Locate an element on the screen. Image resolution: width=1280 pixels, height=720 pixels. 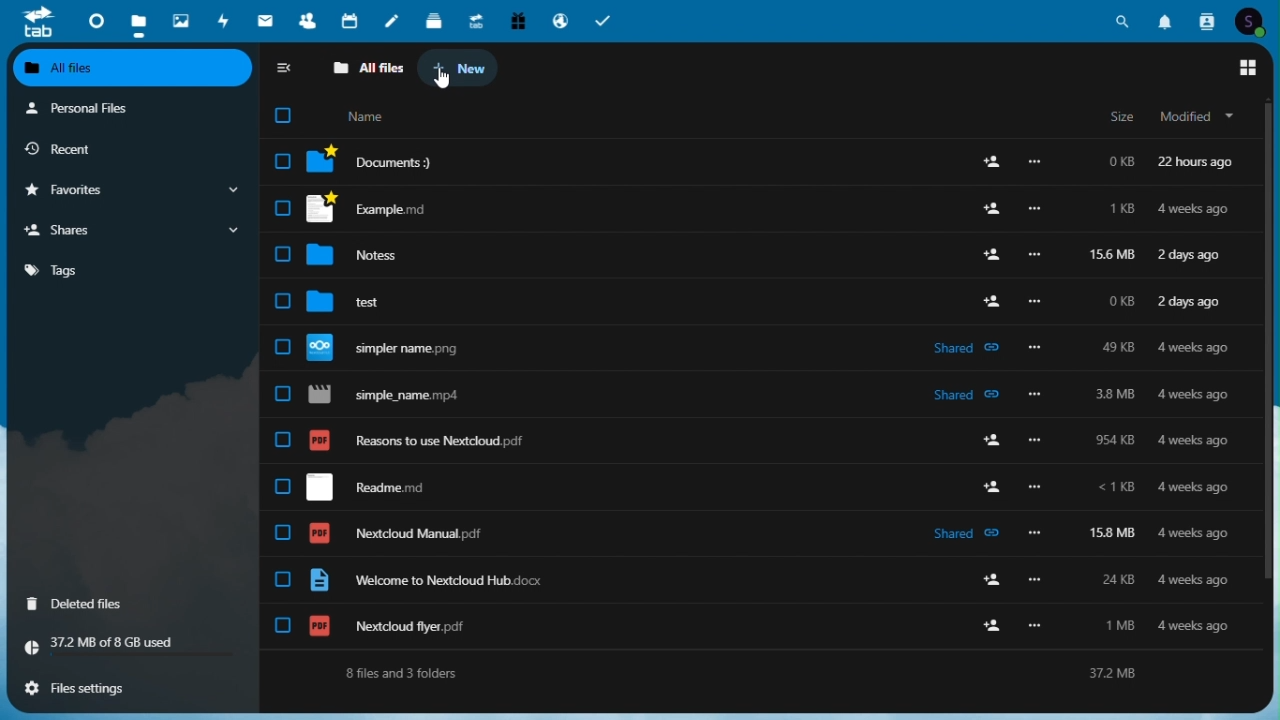
4 weeks ago is located at coordinates (1198, 580).